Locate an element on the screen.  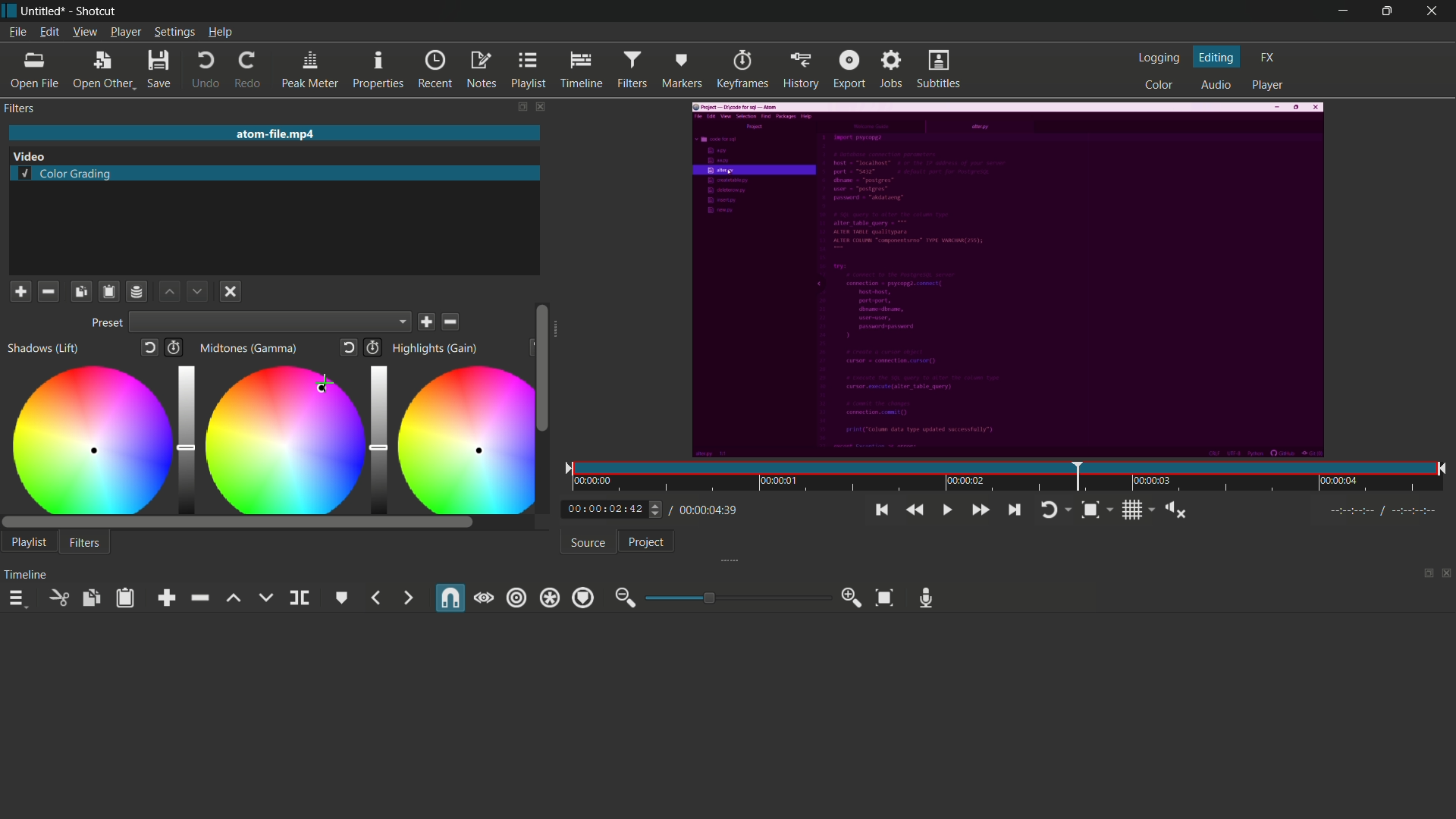
time is located at coordinates (1006, 478).